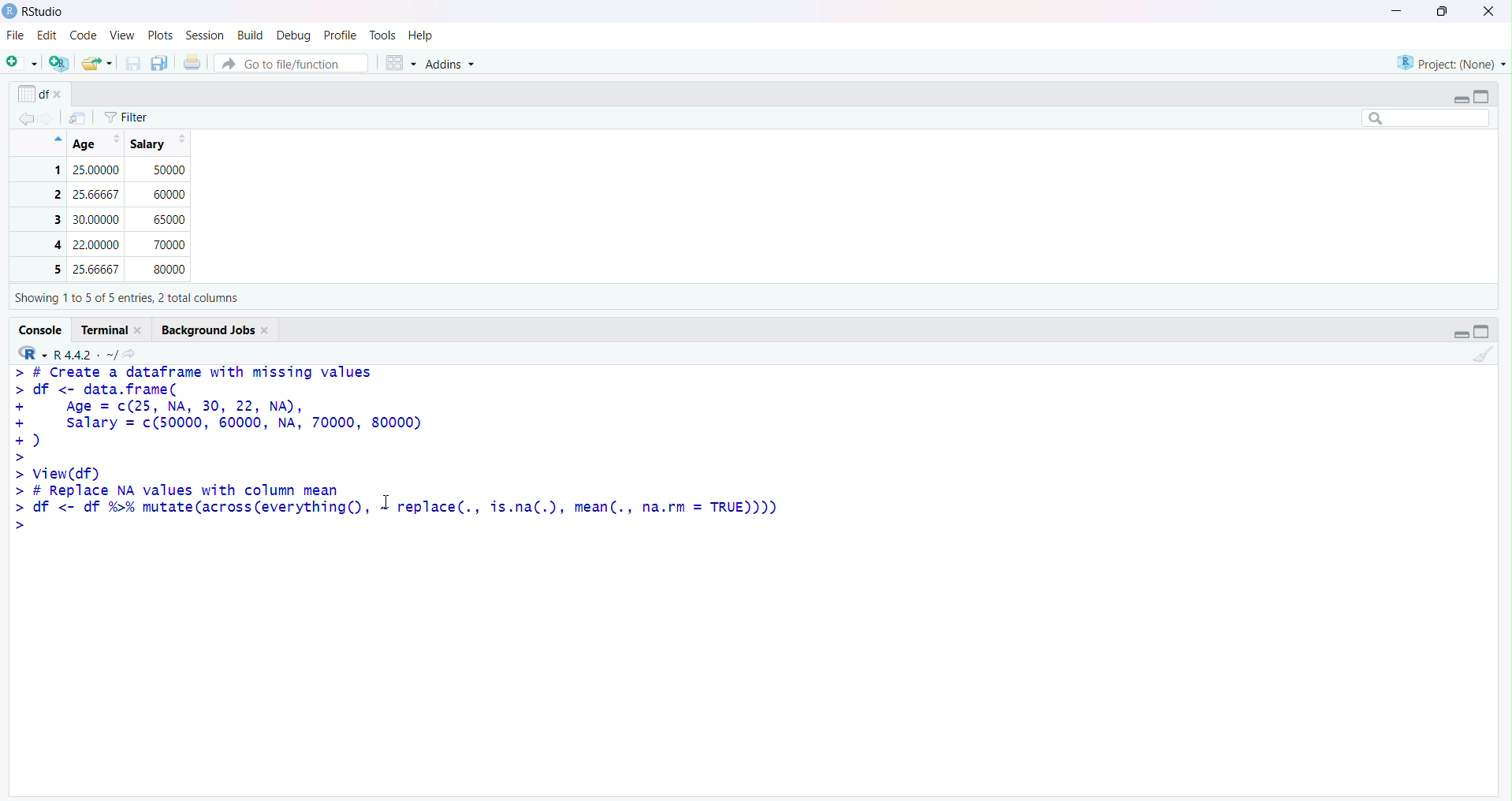 This screenshot has height=801, width=1512. I want to click on 1 25 50000
2 60000
3 30

4 22 70000
5 80000, so click(114, 221).